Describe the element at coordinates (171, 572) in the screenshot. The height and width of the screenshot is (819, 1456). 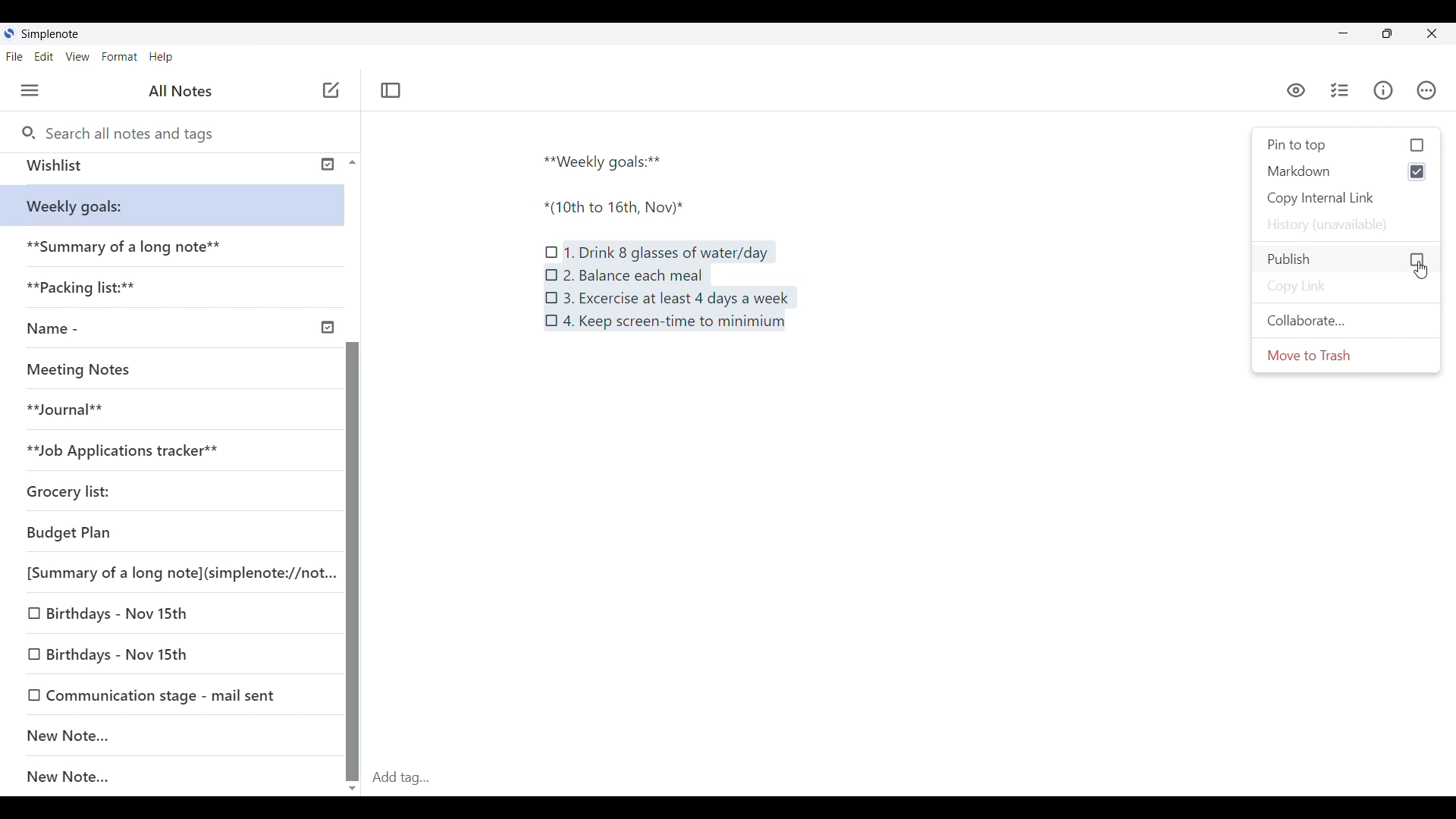
I see `[Summary of a long note](simplenote://not.` at that location.